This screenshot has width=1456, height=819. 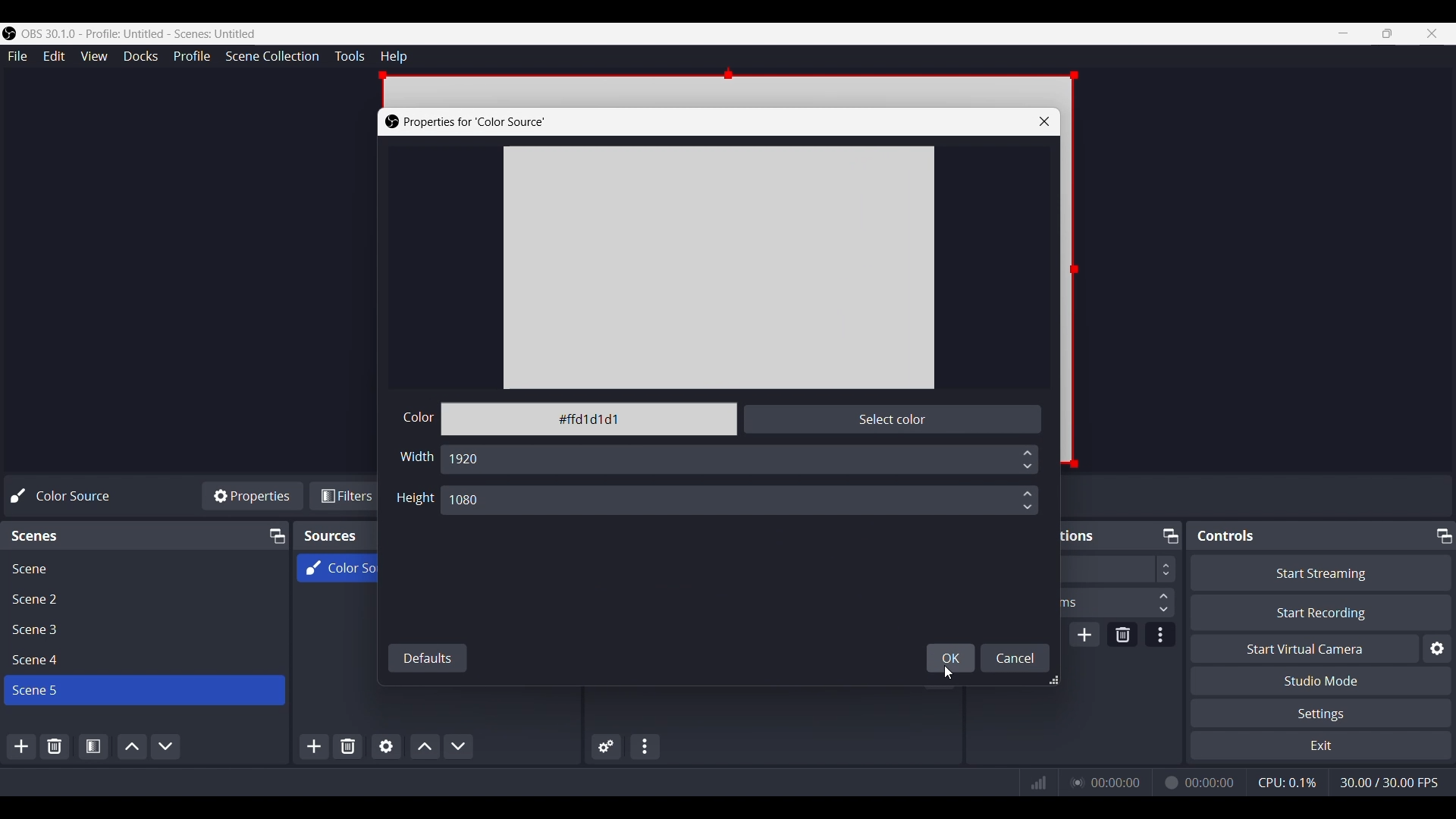 What do you see at coordinates (93, 747) in the screenshot?
I see `Open Scene Properties` at bounding box center [93, 747].